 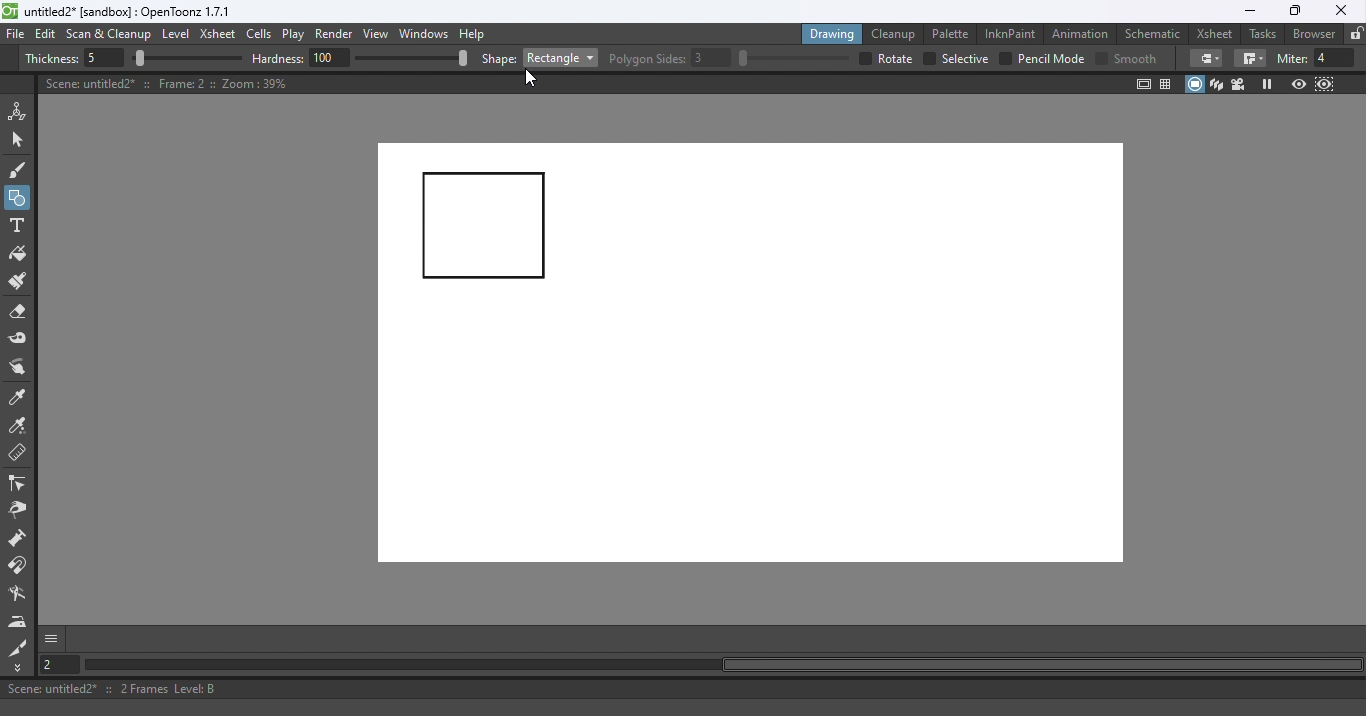 What do you see at coordinates (18, 485) in the screenshot?
I see `Control point editor tool` at bounding box center [18, 485].